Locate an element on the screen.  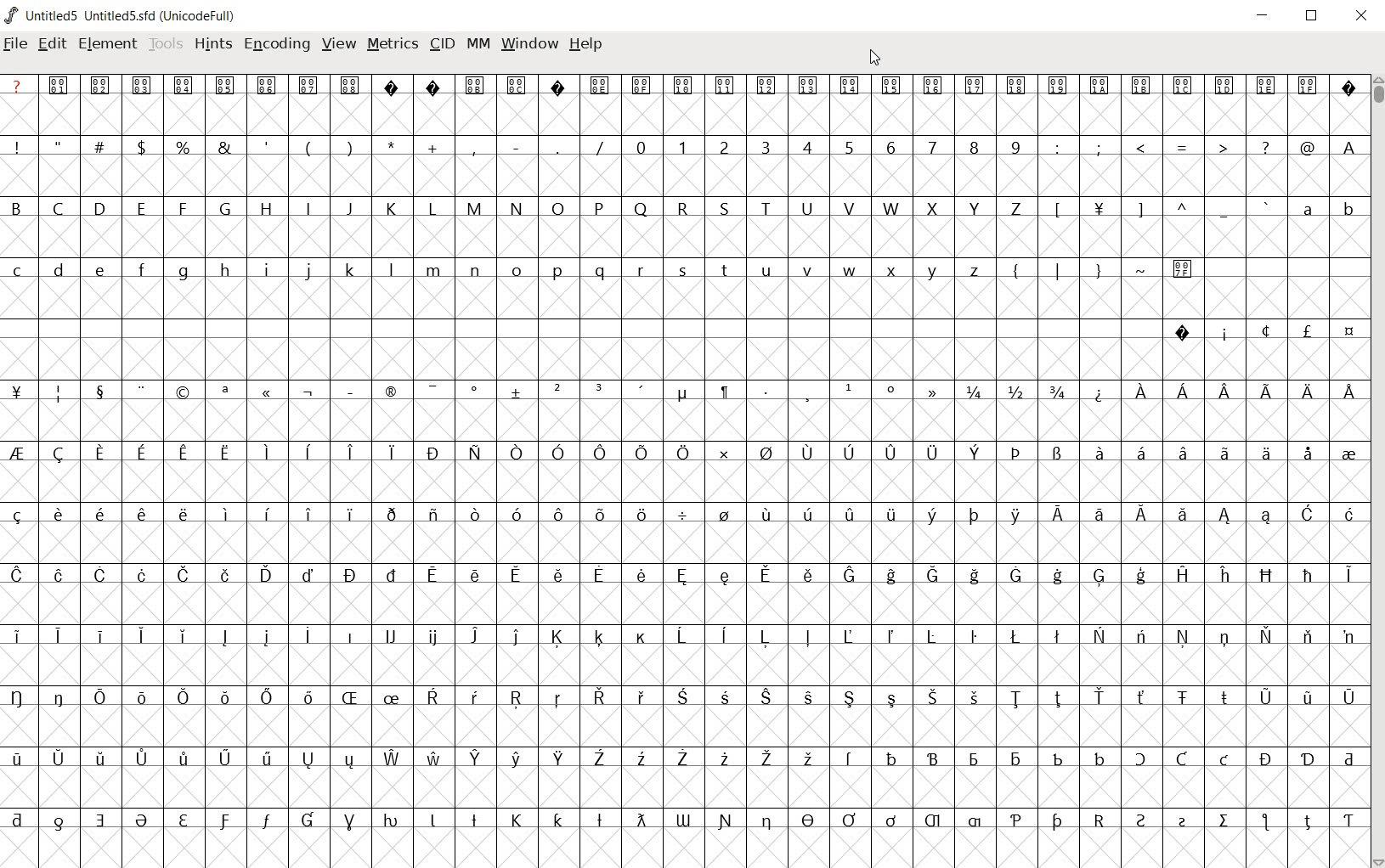
Symbol is located at coordinates (556, 85).